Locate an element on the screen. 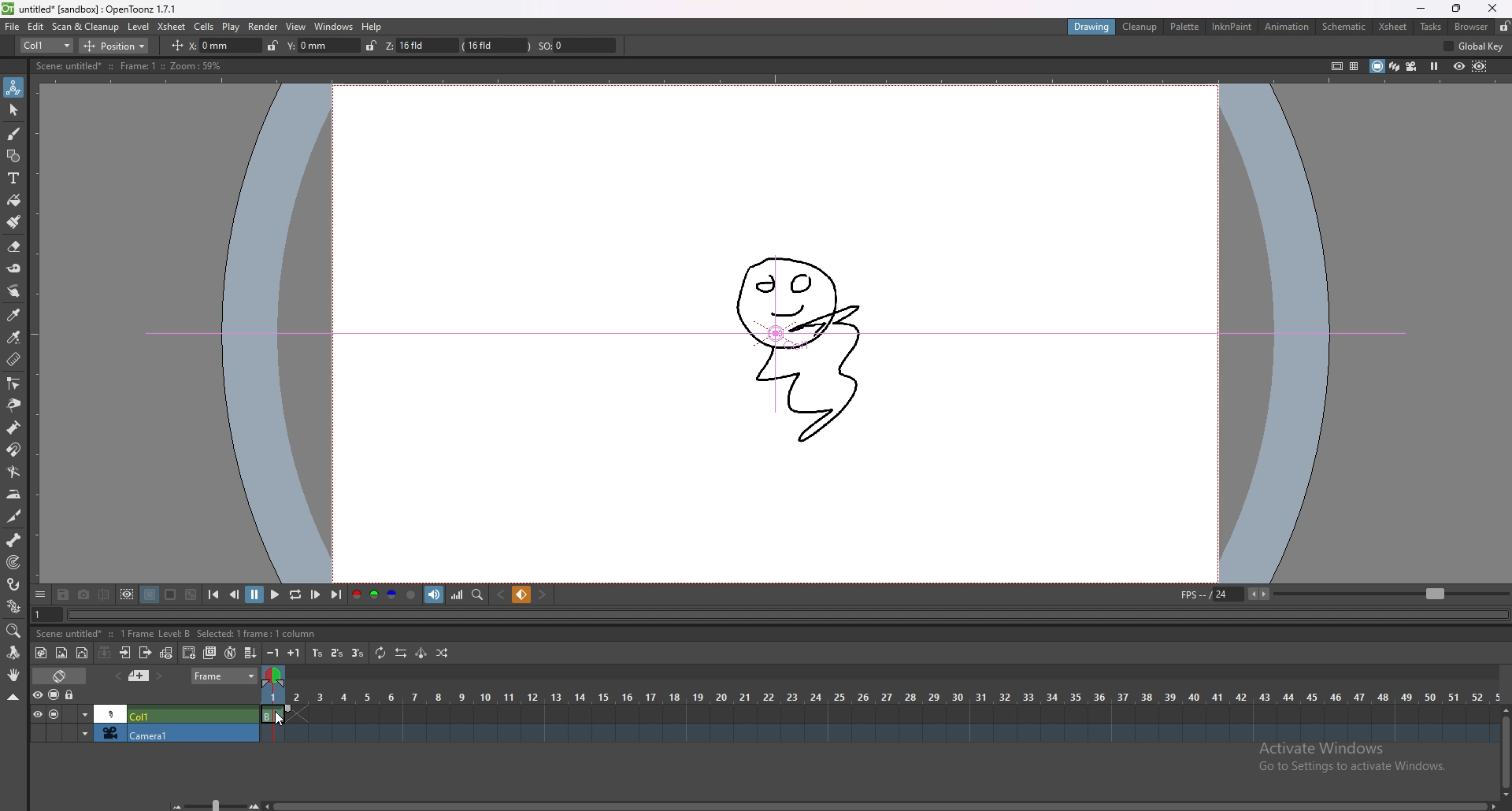 This screenshot has height=811, width=1512. animate is located at coordinates (14, 87).